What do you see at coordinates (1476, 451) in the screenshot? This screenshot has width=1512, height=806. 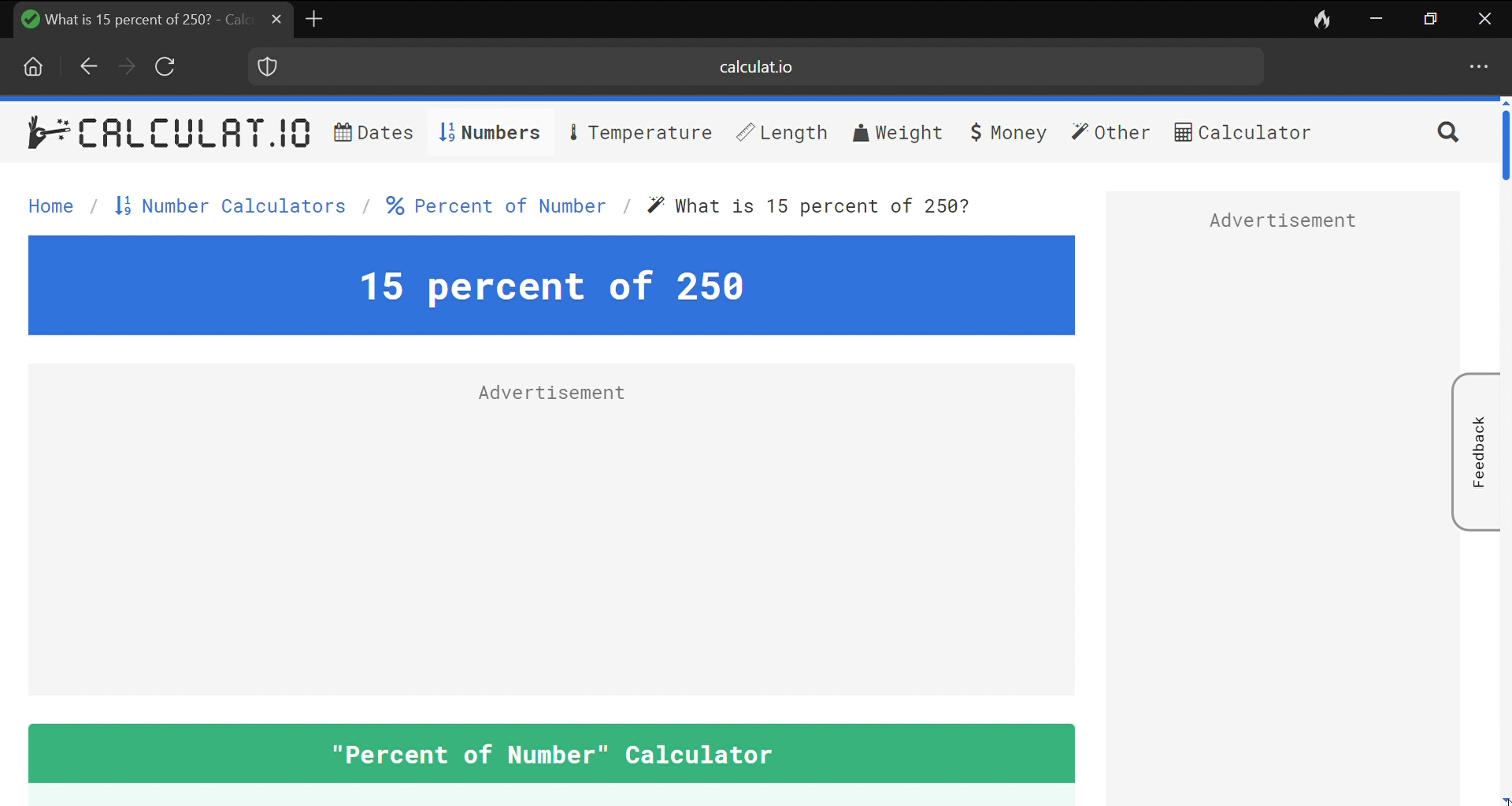 I see `Feedback` at bounding box center [1476, 451].